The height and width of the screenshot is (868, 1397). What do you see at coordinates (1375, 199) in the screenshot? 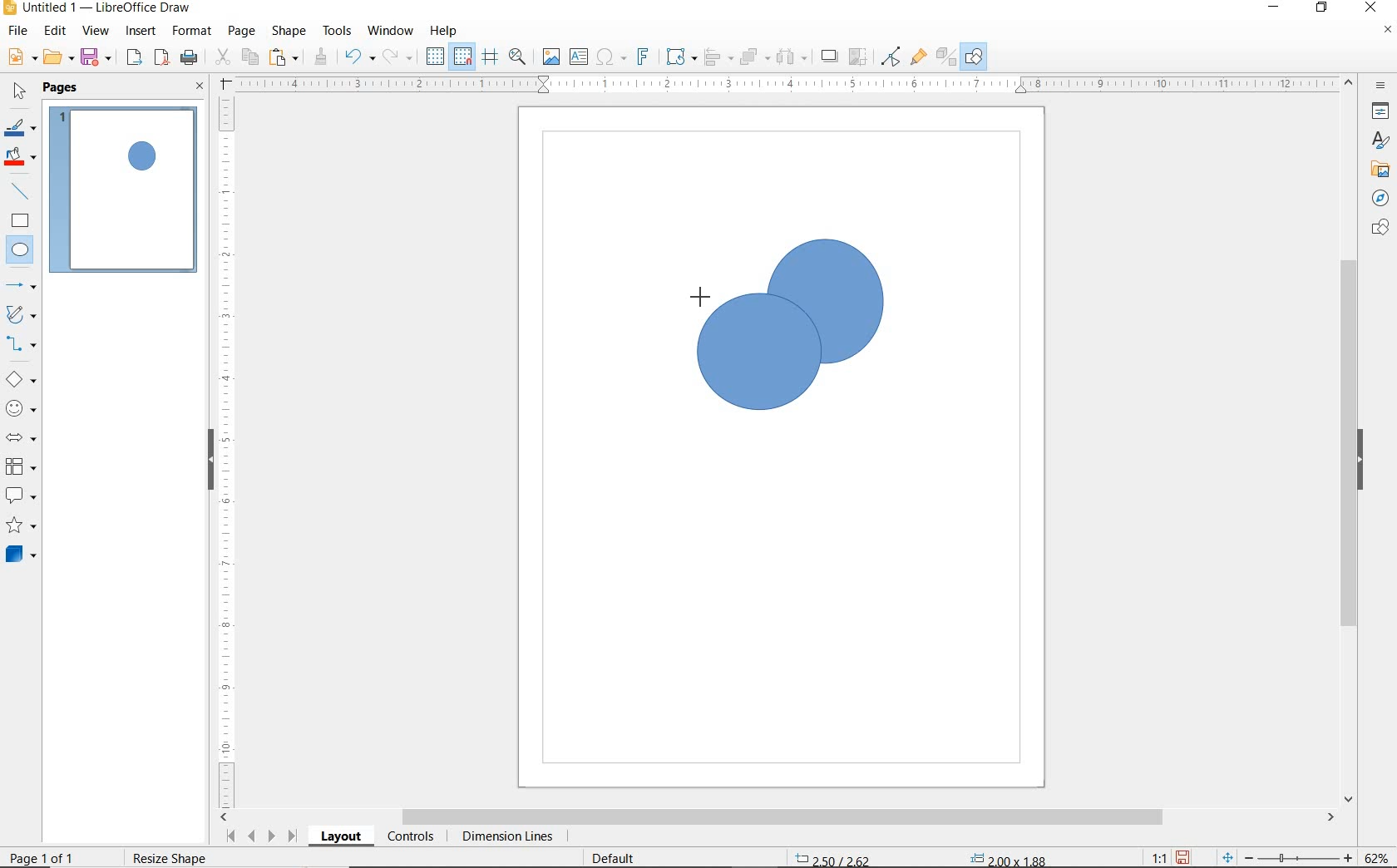
I see `NAVIGATOR` at bounding box center [1375, 199].